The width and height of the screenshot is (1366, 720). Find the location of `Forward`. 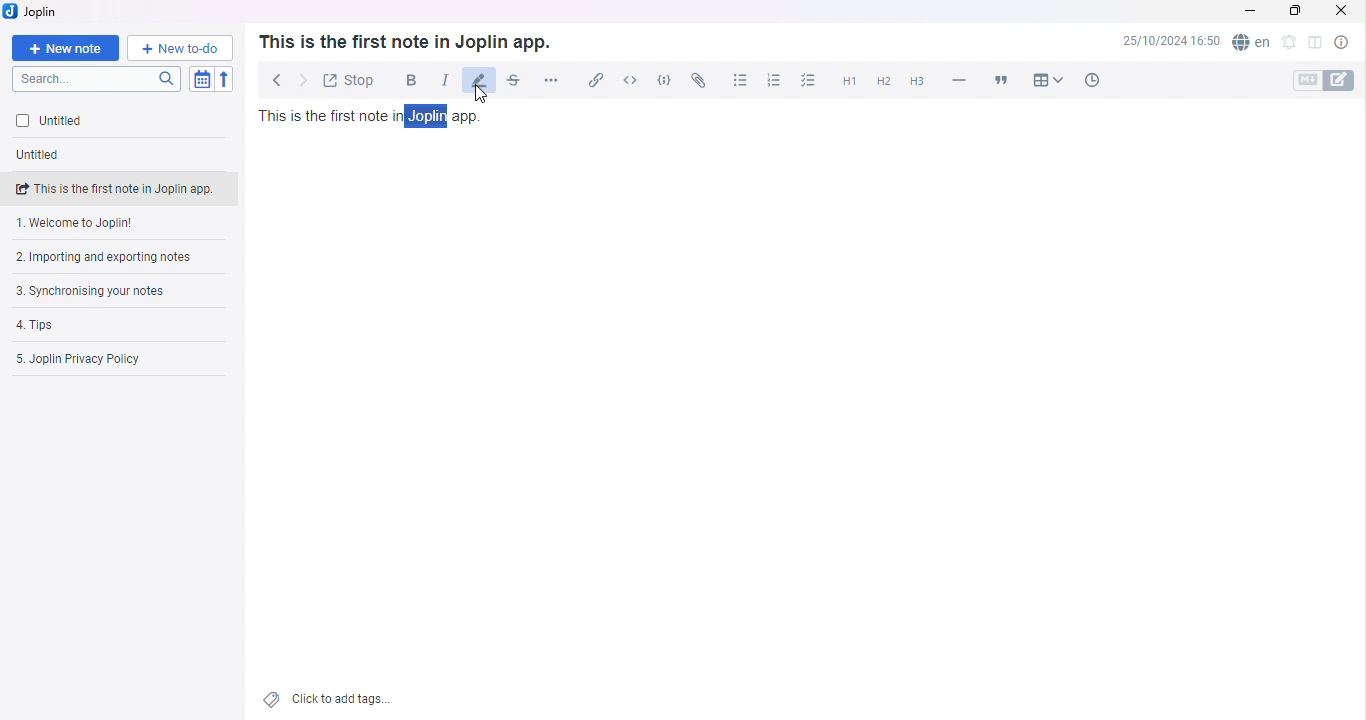

Forward is located at coordinates (301, 80).